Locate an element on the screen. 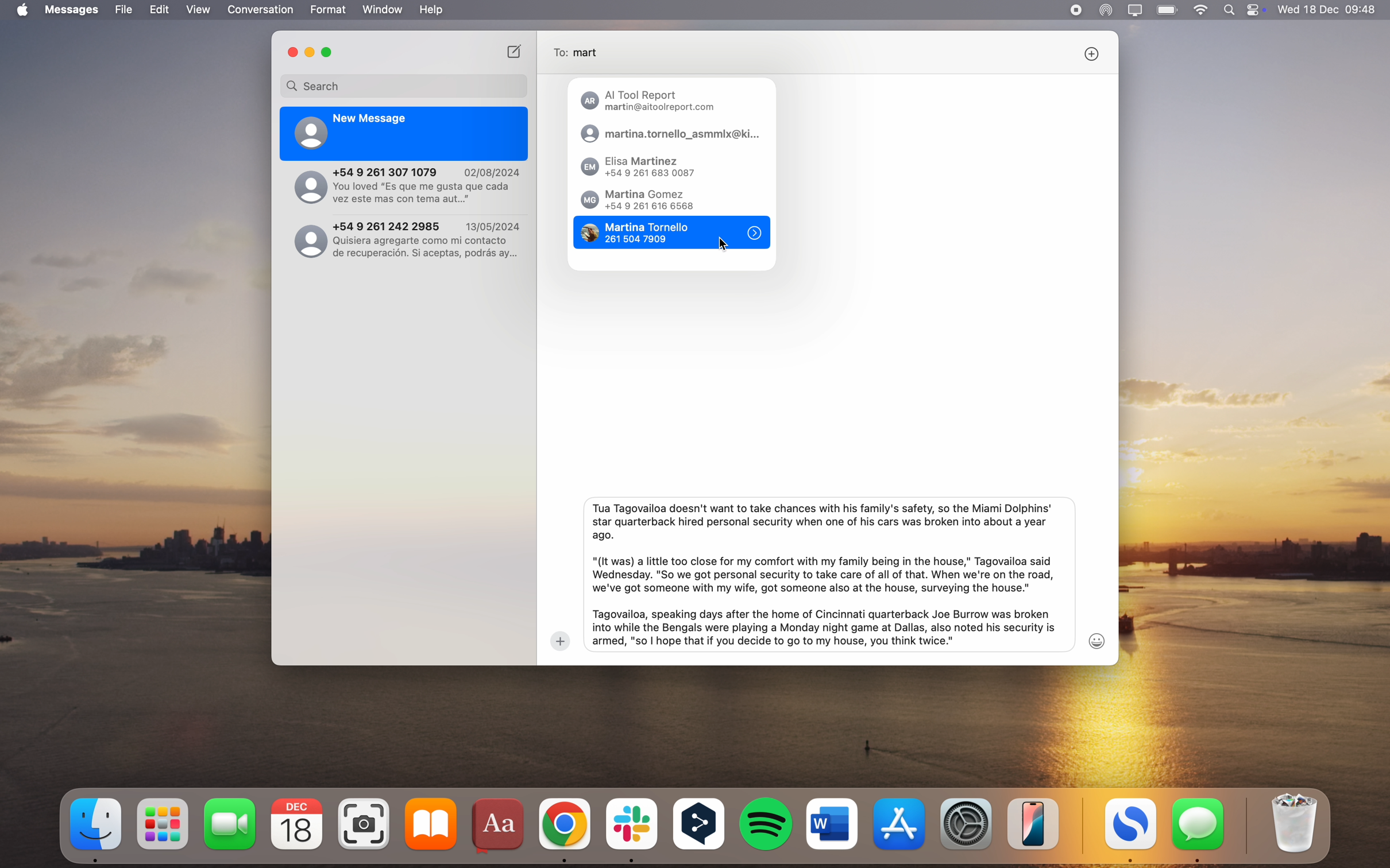  Tua Tagovailoa doesn't want to take chances with his family's safety, so the Miami Dolphins’
star quarterback hired personal security when one of his cars was broken into about a year
ago.

"(It was) a little too close for my comfort with my family being in the house," Tagovailoa said
Wednesday. "So we got personal security to take care of all of that. When we're on the road,
we've got someone with my wife, got someone also at the house, surveying the house."
Tagovailoa, speaking days after the home of Cincinnati quarterback Joe Burrow was broken
into while the Bengals were playing a Monday night game at Dallas, also noted his security is
armed, "so | hope that if you decide to go to my house, you think twice." is located at coordinates (823, 574).